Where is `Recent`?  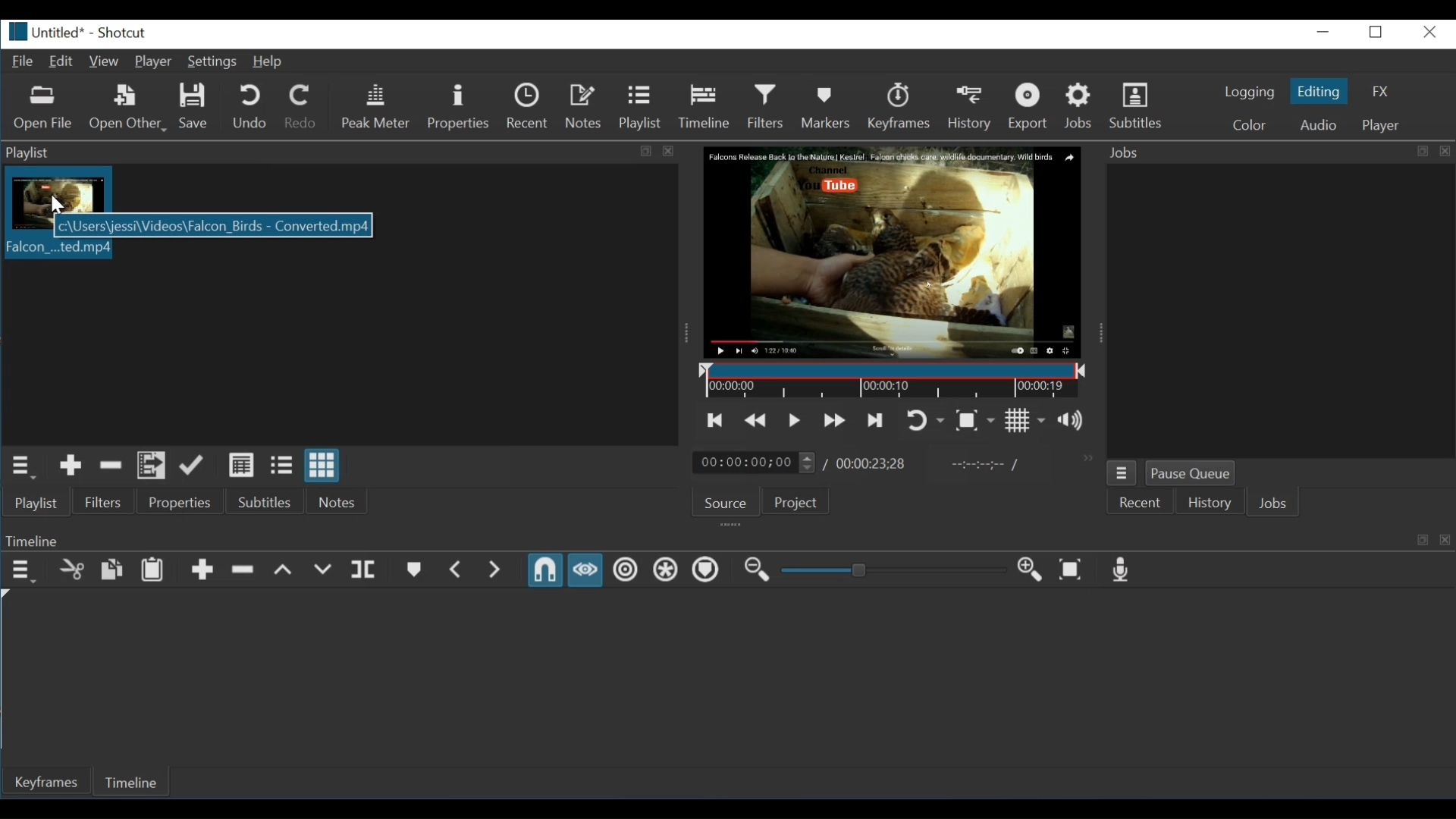 Recent is located at coordinates (1138, 504).